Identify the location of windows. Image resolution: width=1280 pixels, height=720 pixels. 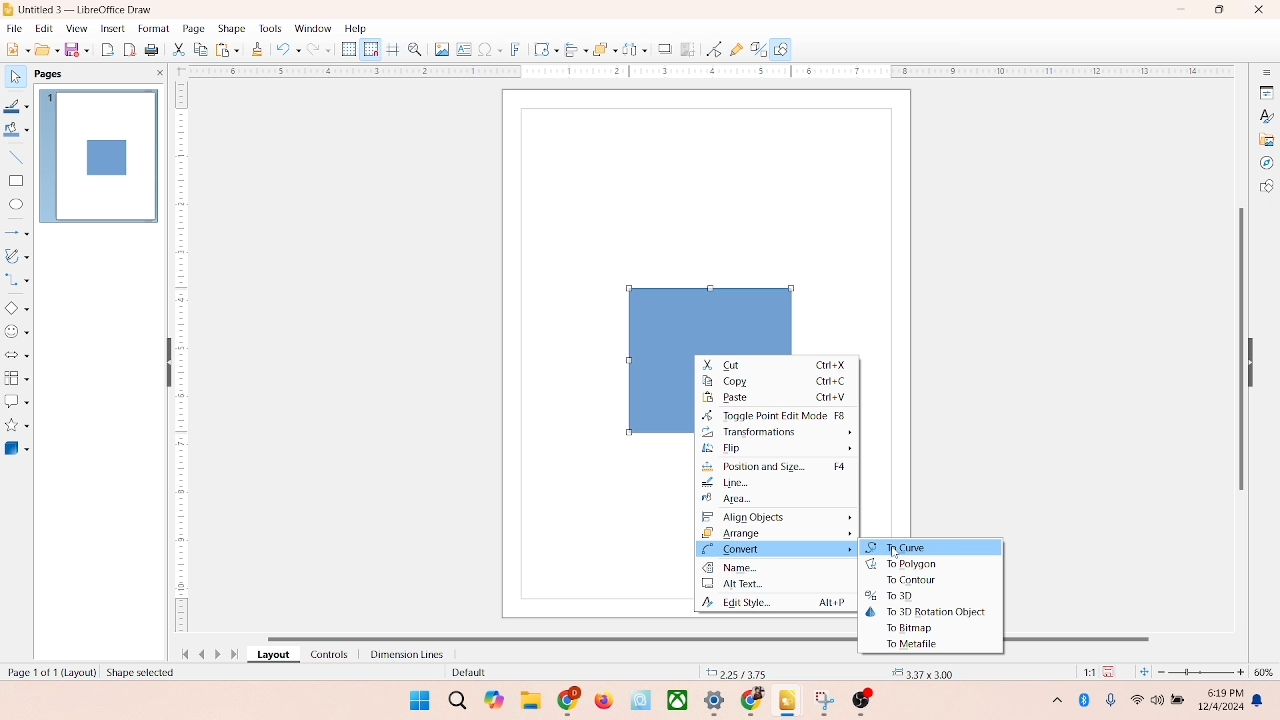
(417, 700).